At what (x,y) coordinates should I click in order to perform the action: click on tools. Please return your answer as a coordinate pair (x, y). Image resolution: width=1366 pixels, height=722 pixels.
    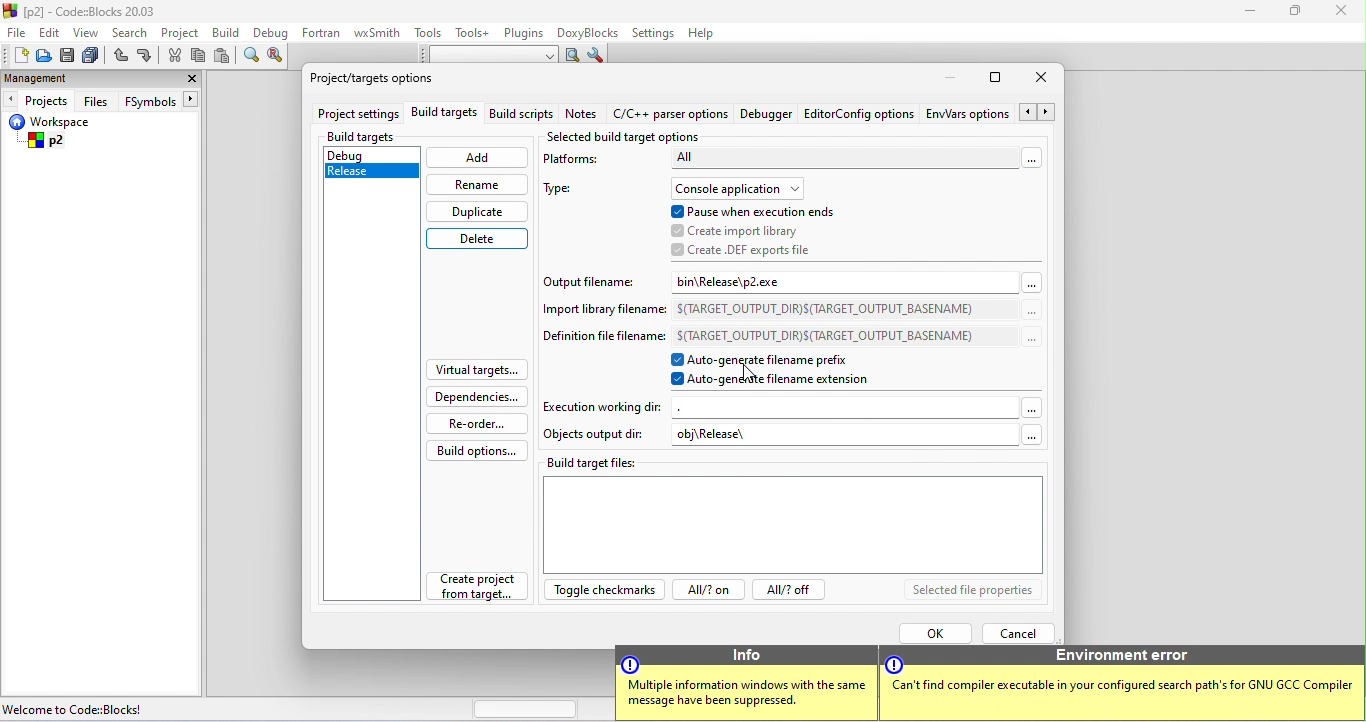
    Looking at the image, I should click on (429, 35).